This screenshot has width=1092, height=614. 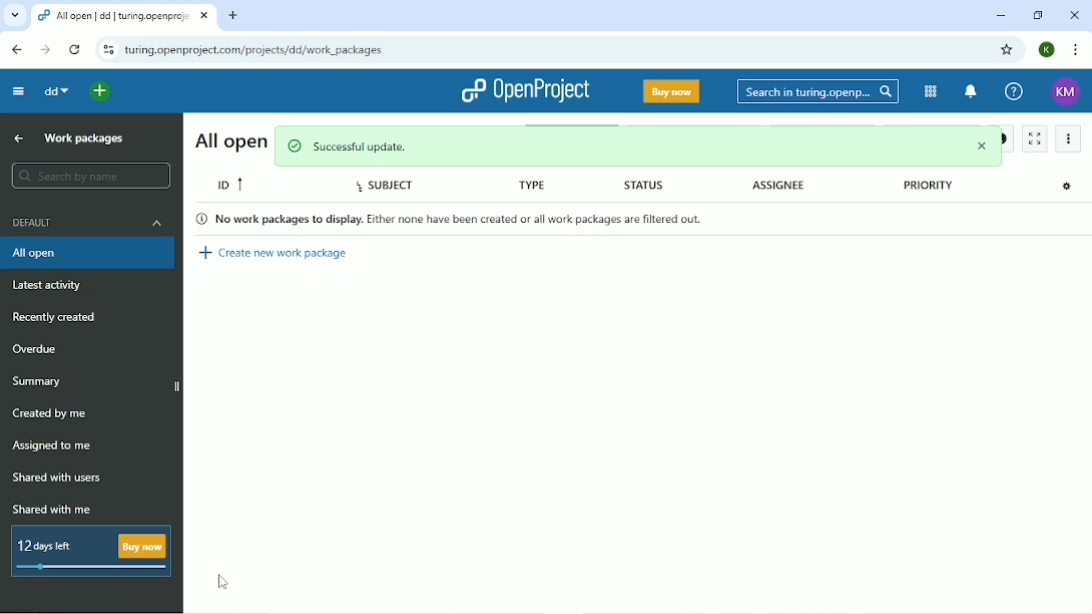 What do you see at coordinates (18, 91) in the screenshot?
I see `Collapse project menu` at bounding box center [18, 91].